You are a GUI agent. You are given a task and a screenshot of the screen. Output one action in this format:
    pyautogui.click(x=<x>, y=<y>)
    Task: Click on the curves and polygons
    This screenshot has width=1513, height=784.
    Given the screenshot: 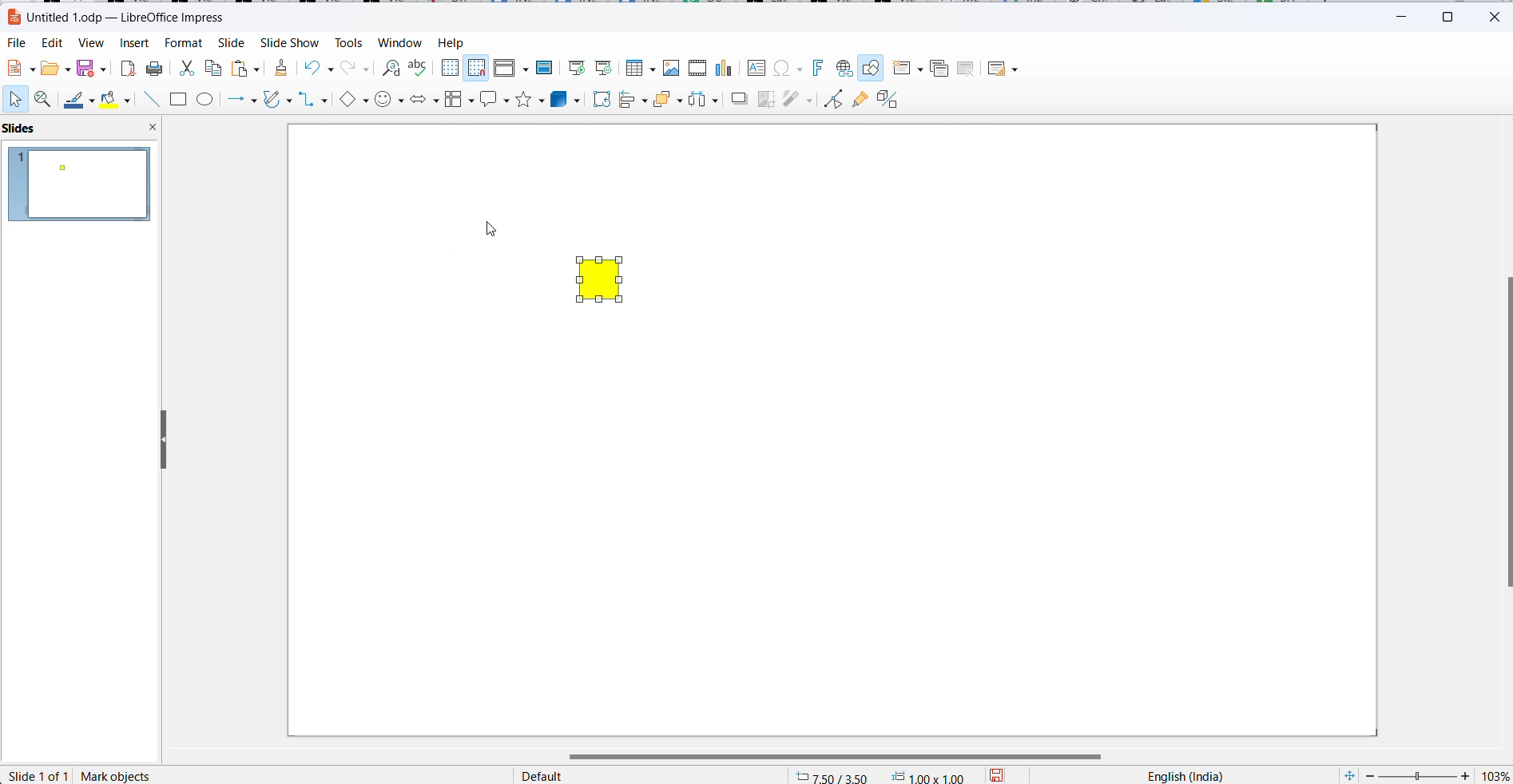 What is the action you would take?
    pyautogui.click(x=276, y=101)
    